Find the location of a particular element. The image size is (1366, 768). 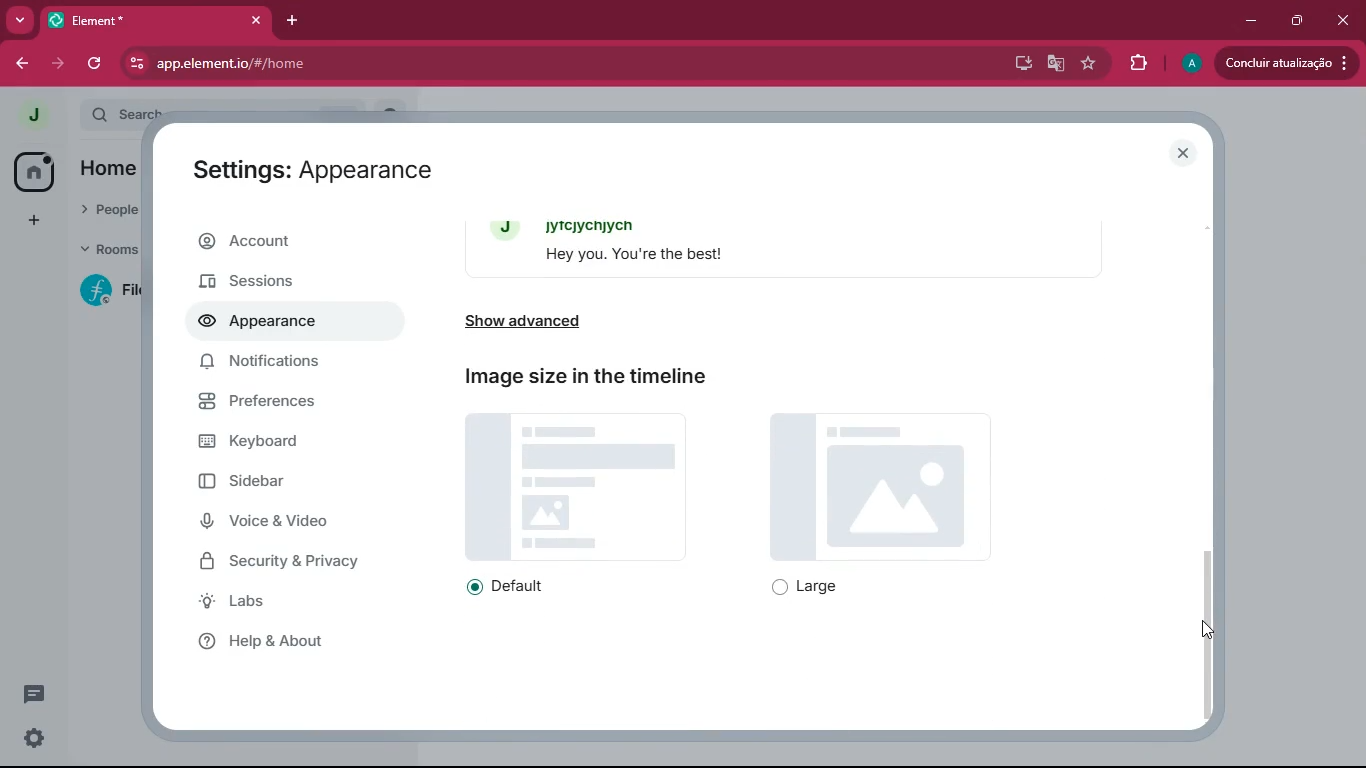

security & privacy is located at coordinates (295, 561).